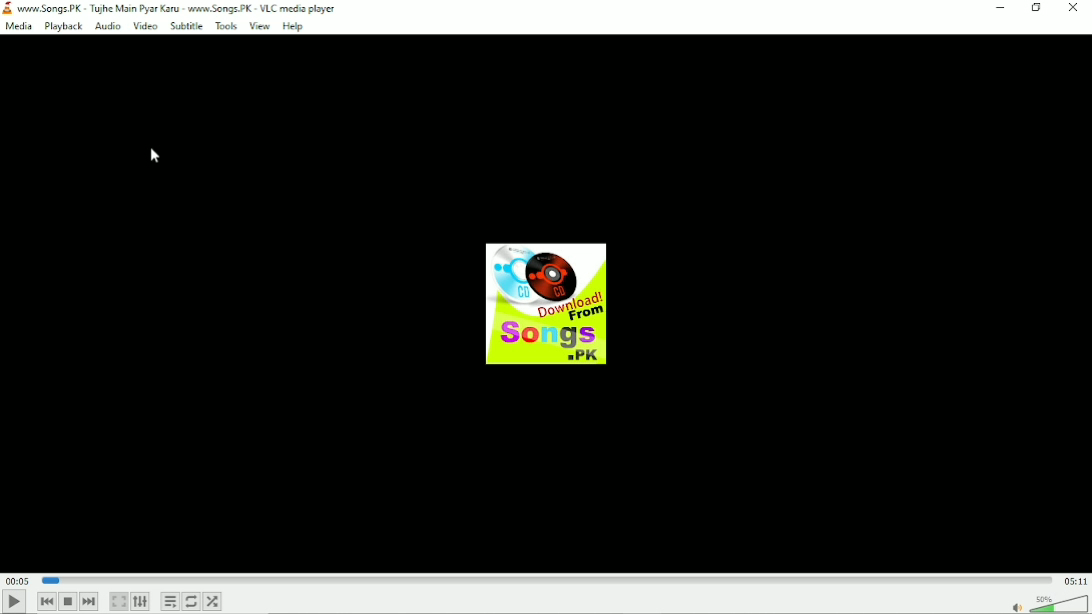  I want to click on Audio, so click(107, 26).